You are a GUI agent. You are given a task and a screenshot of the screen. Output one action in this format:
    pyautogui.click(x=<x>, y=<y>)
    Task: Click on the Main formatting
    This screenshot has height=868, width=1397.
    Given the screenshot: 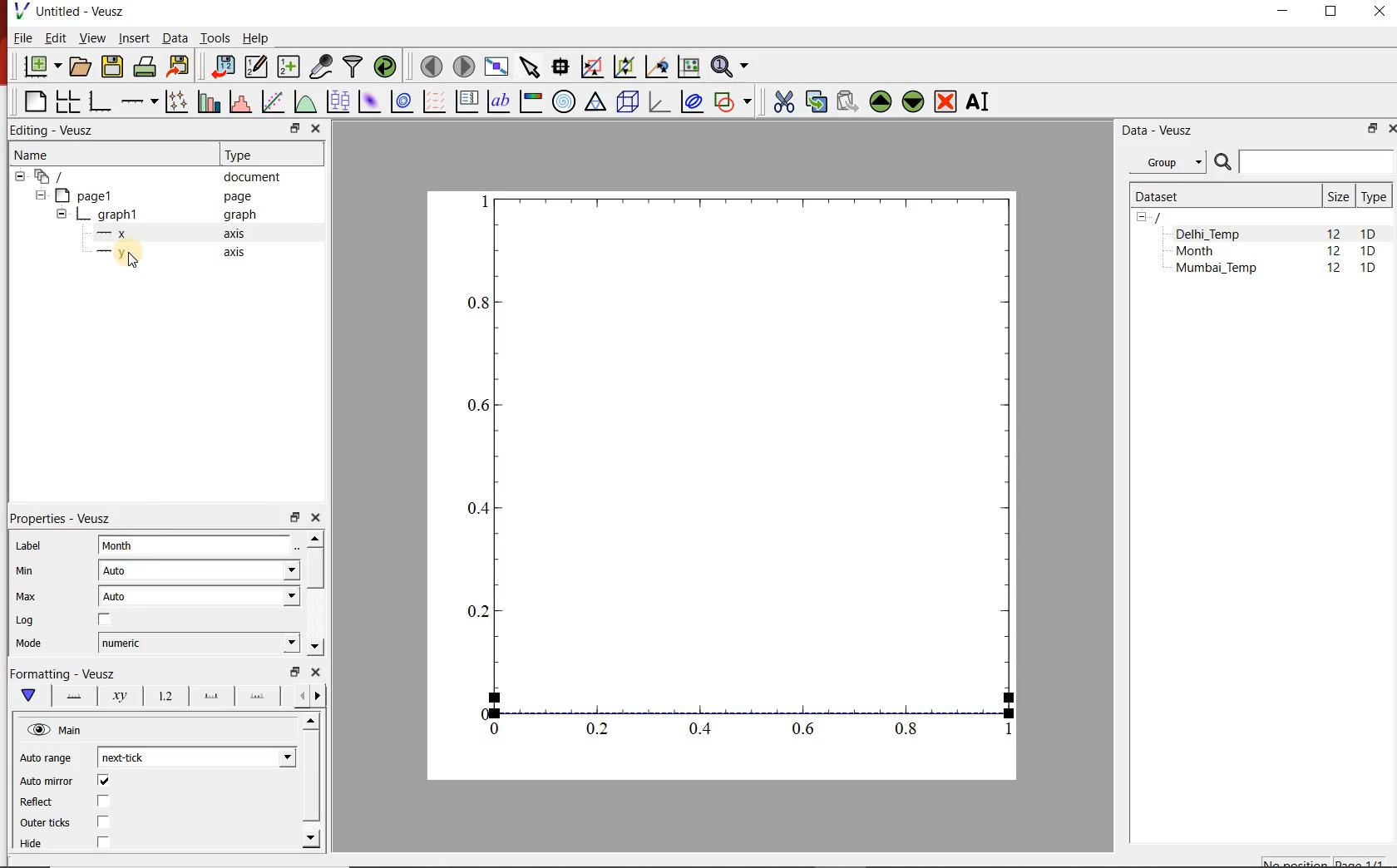 What is the action you would take?
    pyautogui.click(x=26, y=696)
    